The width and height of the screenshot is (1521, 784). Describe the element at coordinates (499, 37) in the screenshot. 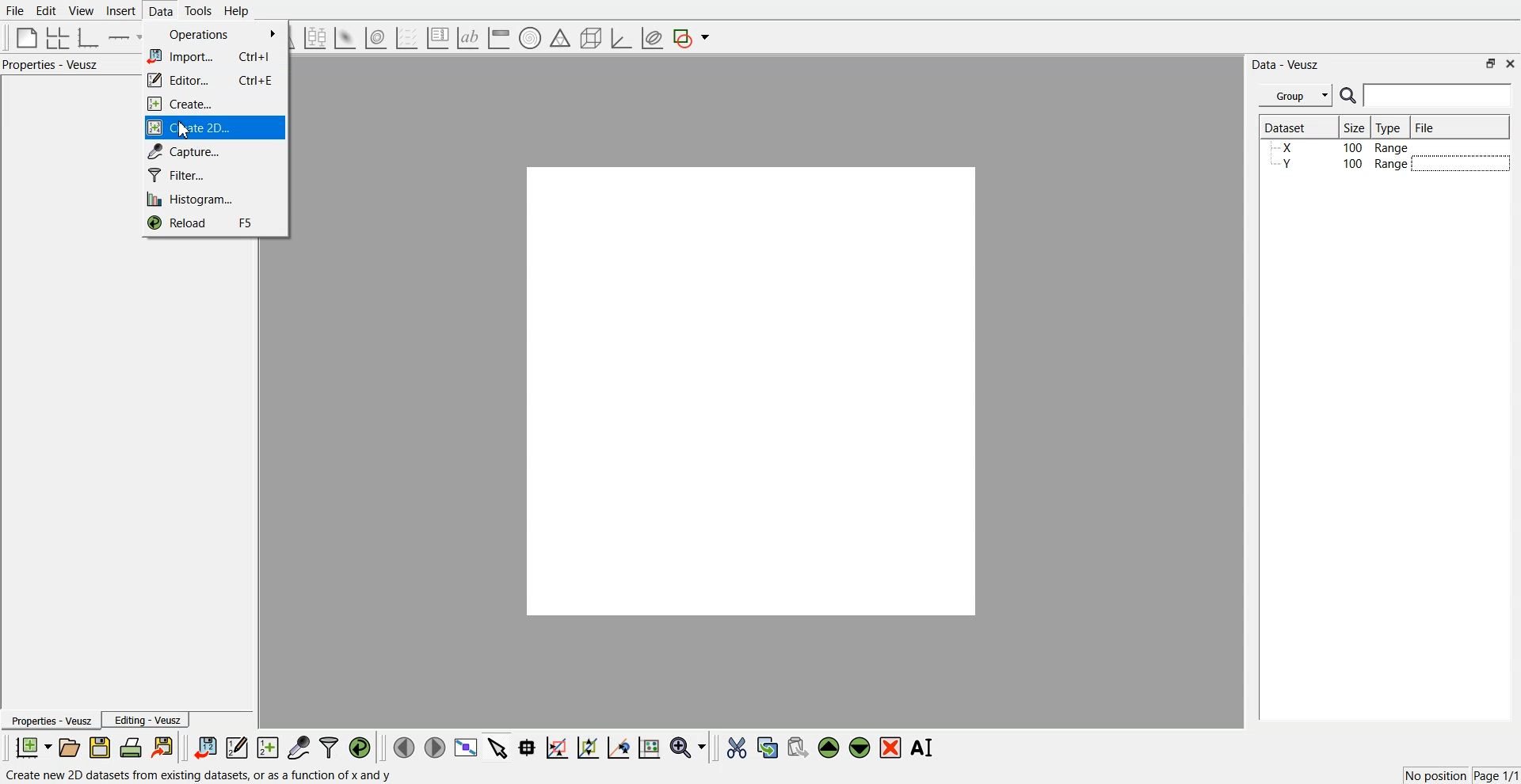

I see `Image color bar` at that location.